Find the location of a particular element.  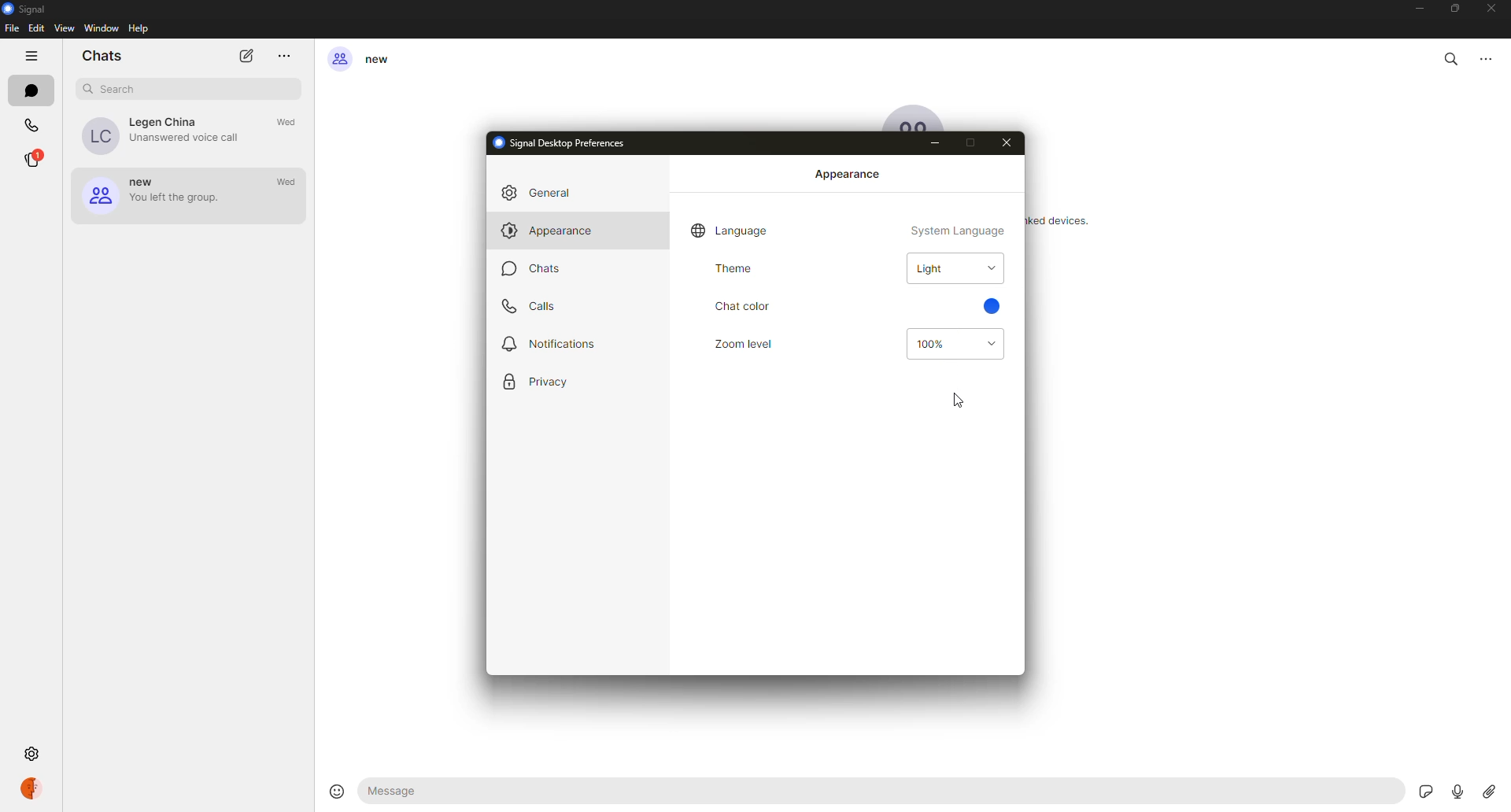

minimize is located at coordinates (938, 145).